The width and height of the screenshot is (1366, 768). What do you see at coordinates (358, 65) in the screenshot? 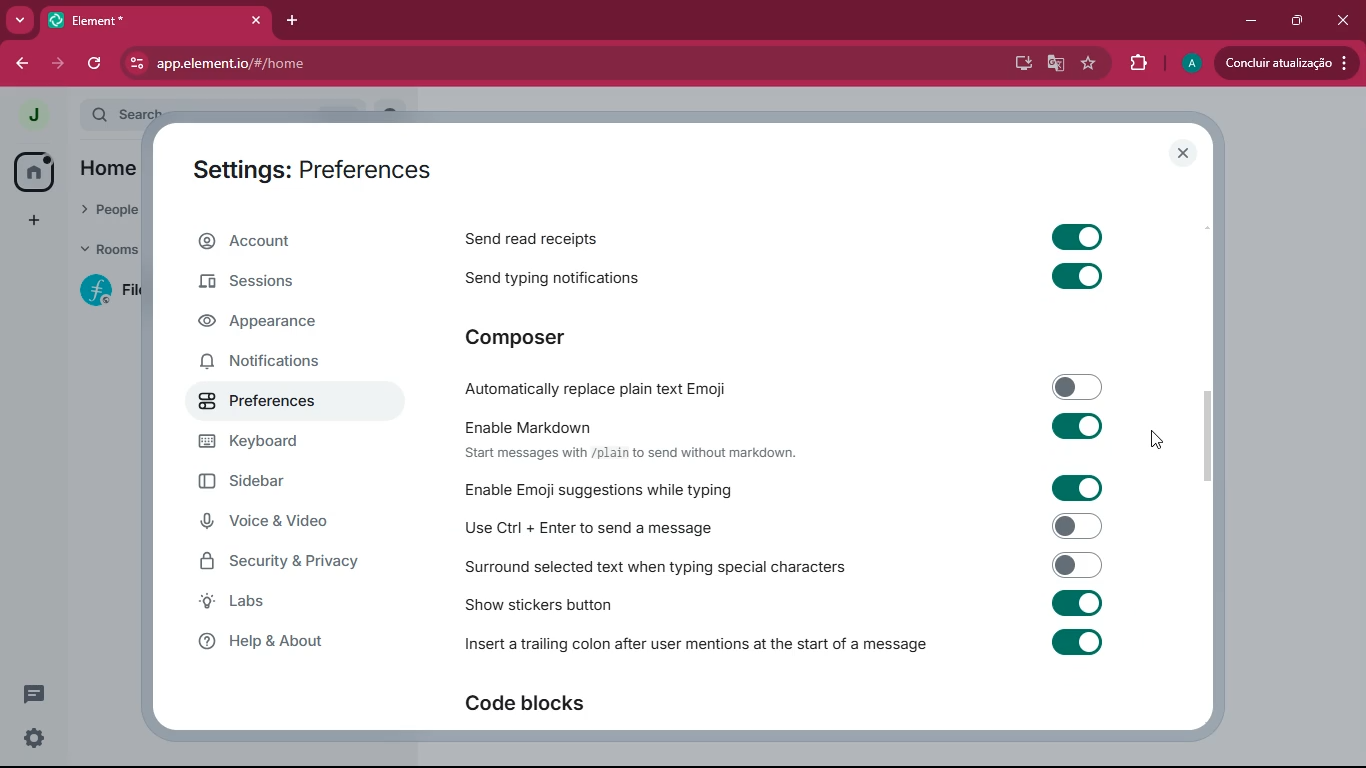
I see `app.element.io/#/home` at bounding box center [358, 65].